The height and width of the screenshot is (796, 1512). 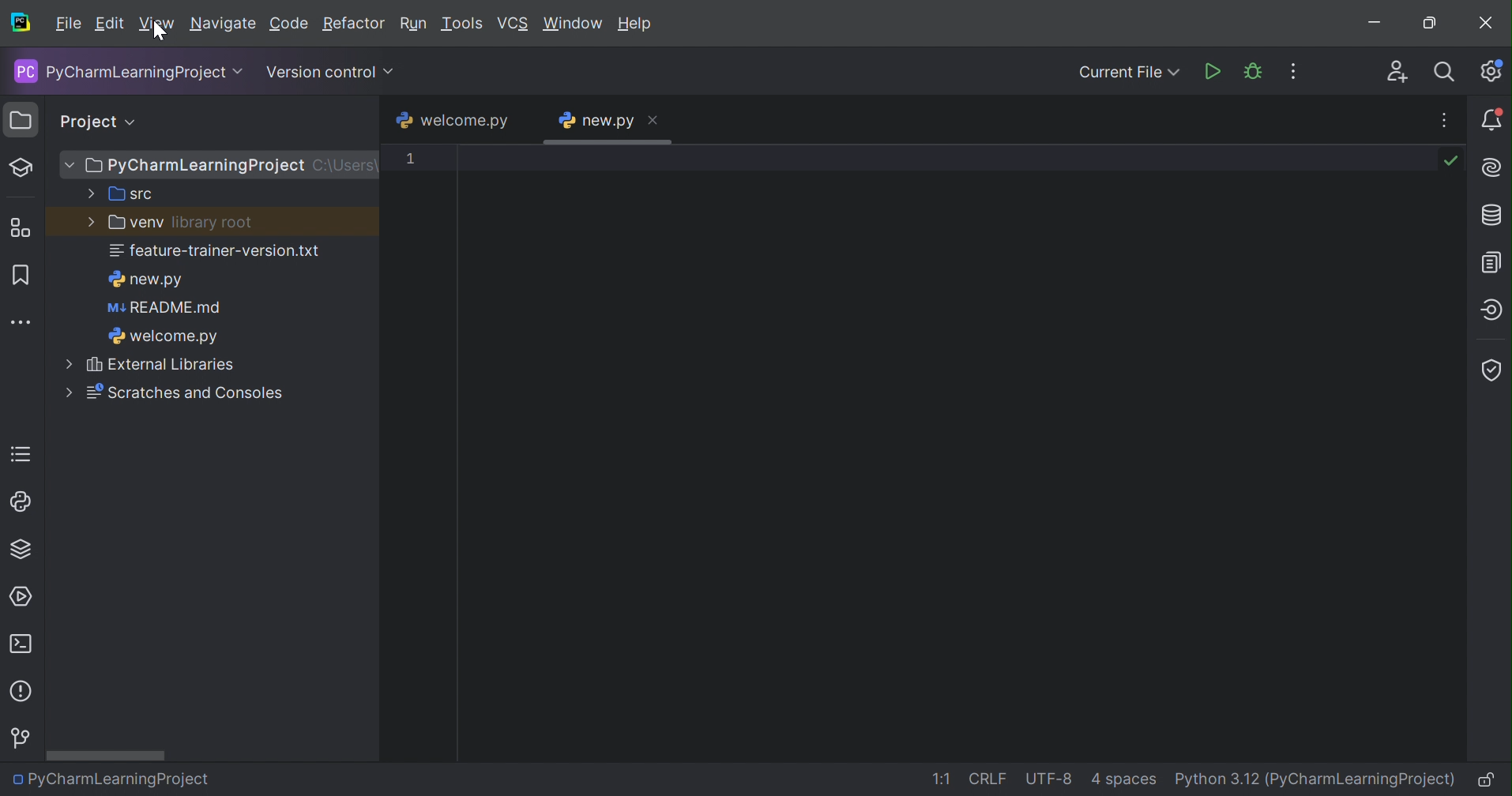 What do you see at coordinates (415, 24) in the screenshot?
I see `Run` at bounding box center [415, 24].